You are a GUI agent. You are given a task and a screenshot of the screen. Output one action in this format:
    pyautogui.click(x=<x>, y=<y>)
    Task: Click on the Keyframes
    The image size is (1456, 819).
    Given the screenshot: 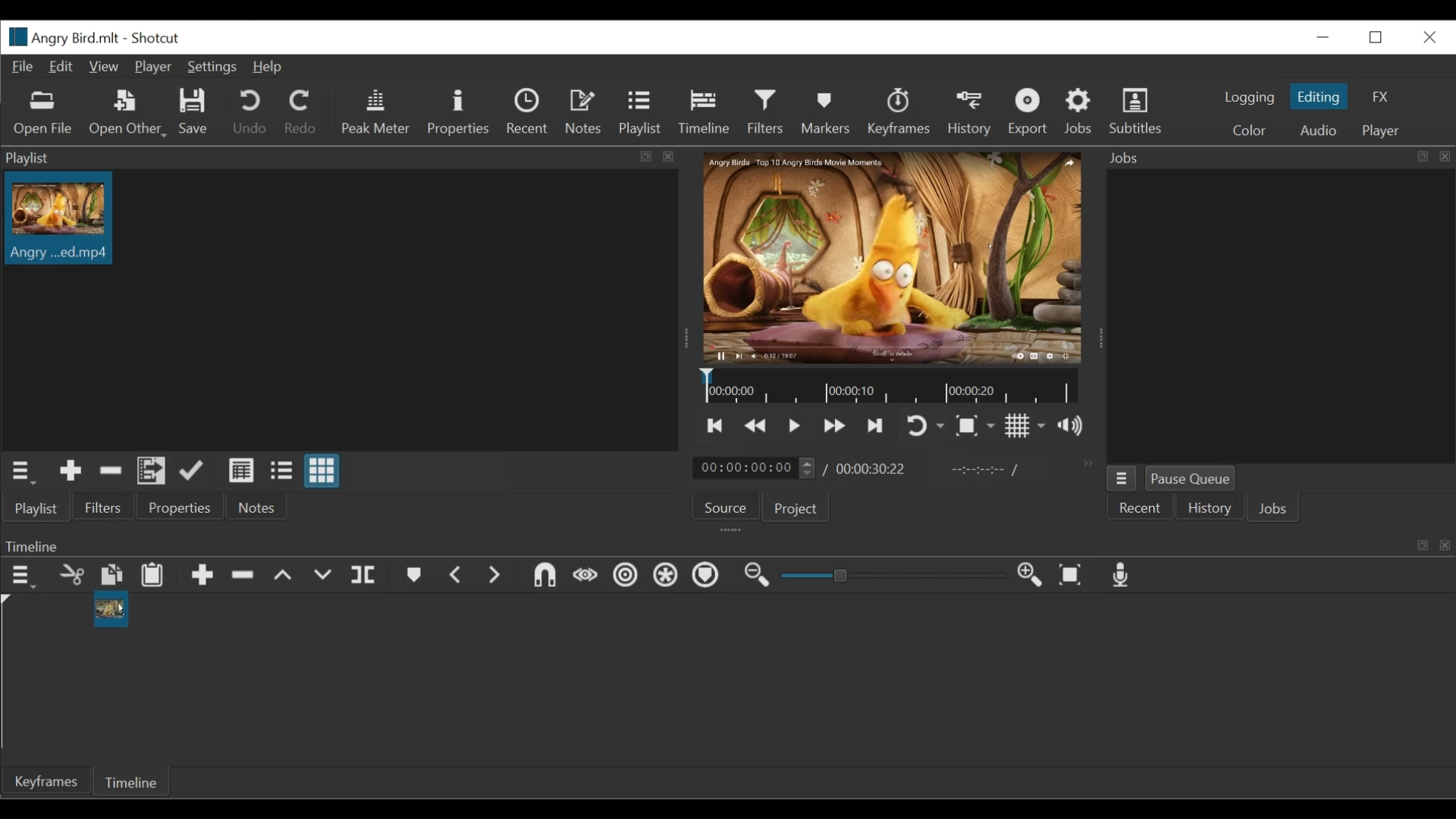 What is the action you would take?
    pyautogui.click(x=899, y=111)
    